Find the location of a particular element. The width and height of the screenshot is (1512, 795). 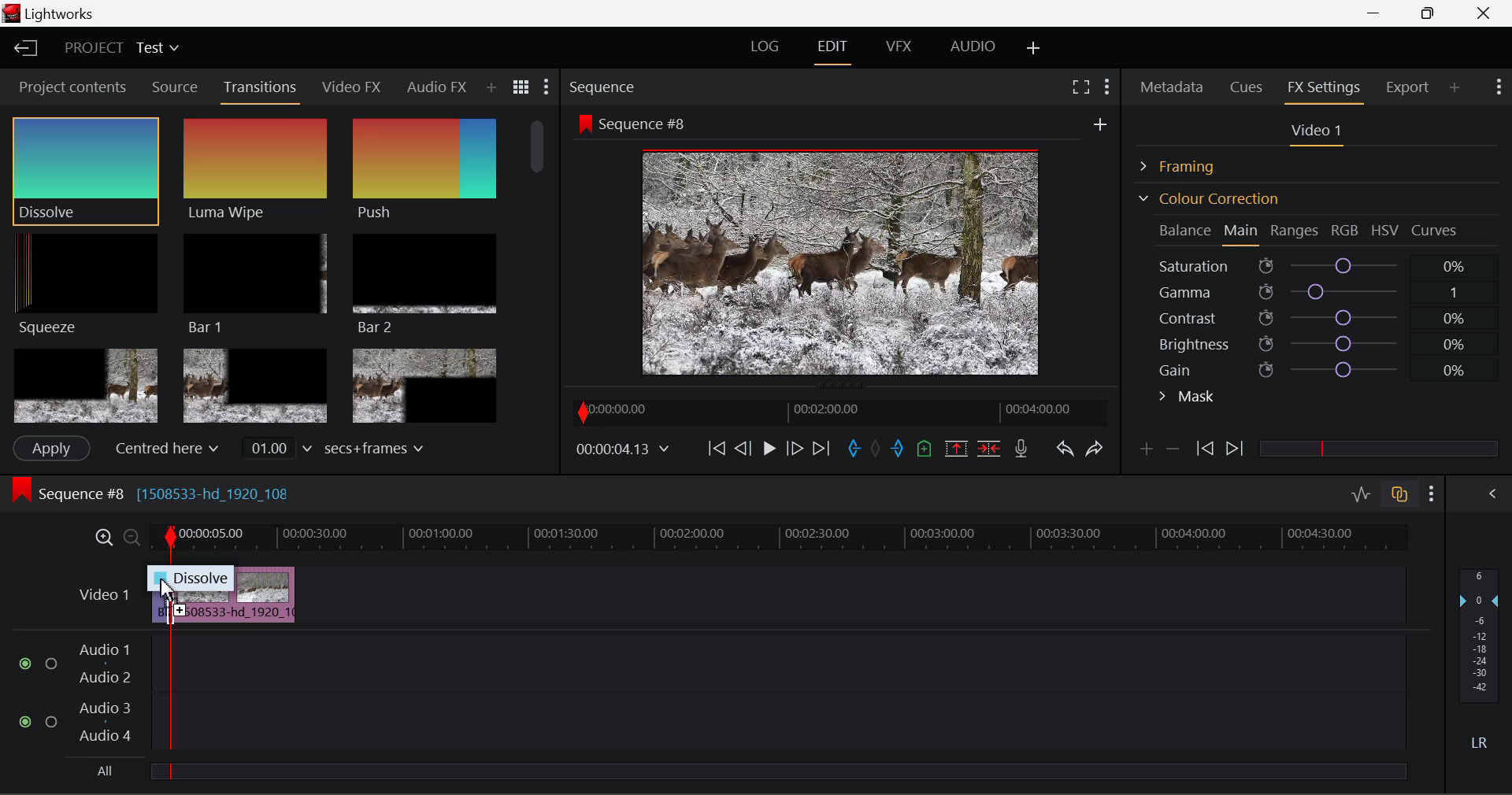

Show Audio Mix is located at coordinates (1494, 492).